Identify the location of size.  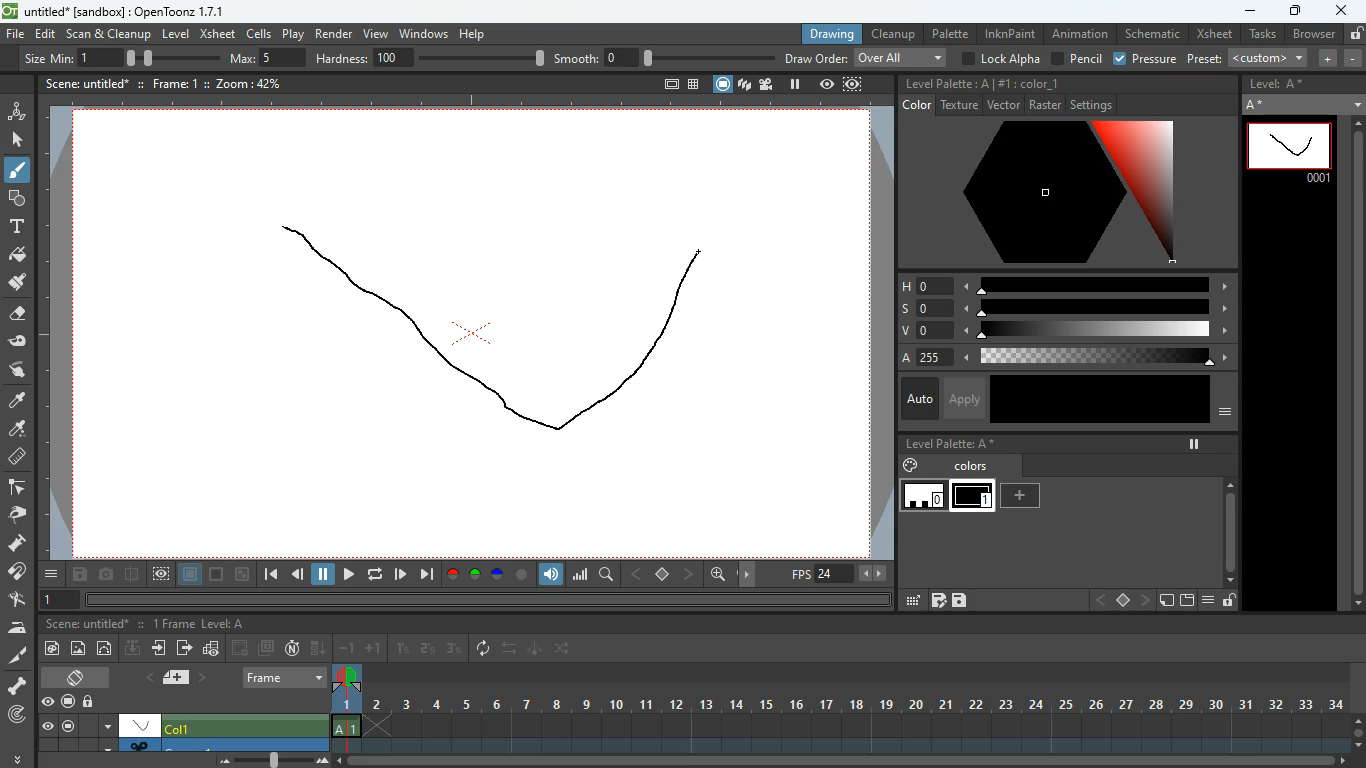
(243, 575).